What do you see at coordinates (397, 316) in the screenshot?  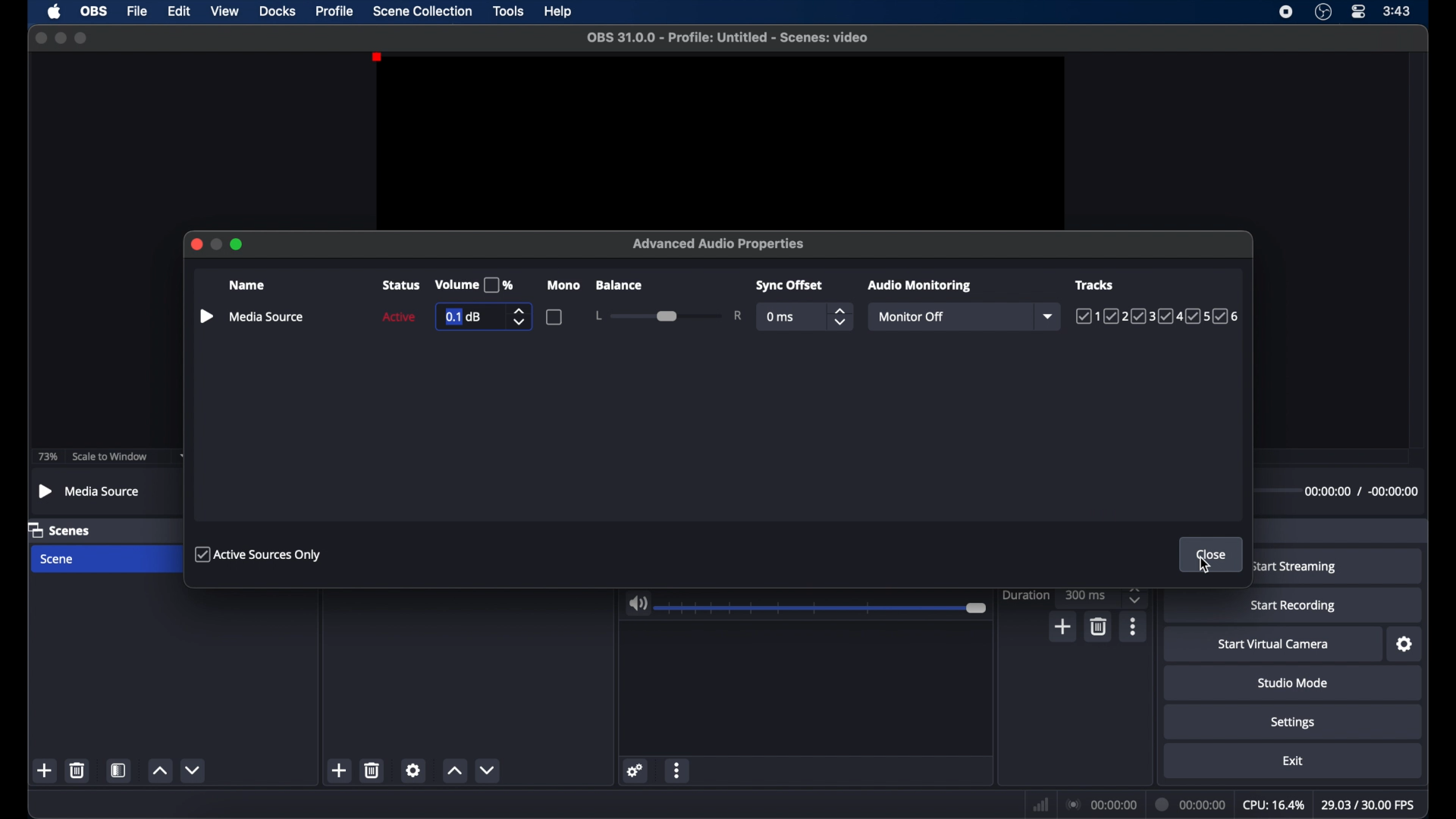 I see `active` at bounding box center [397, 316].